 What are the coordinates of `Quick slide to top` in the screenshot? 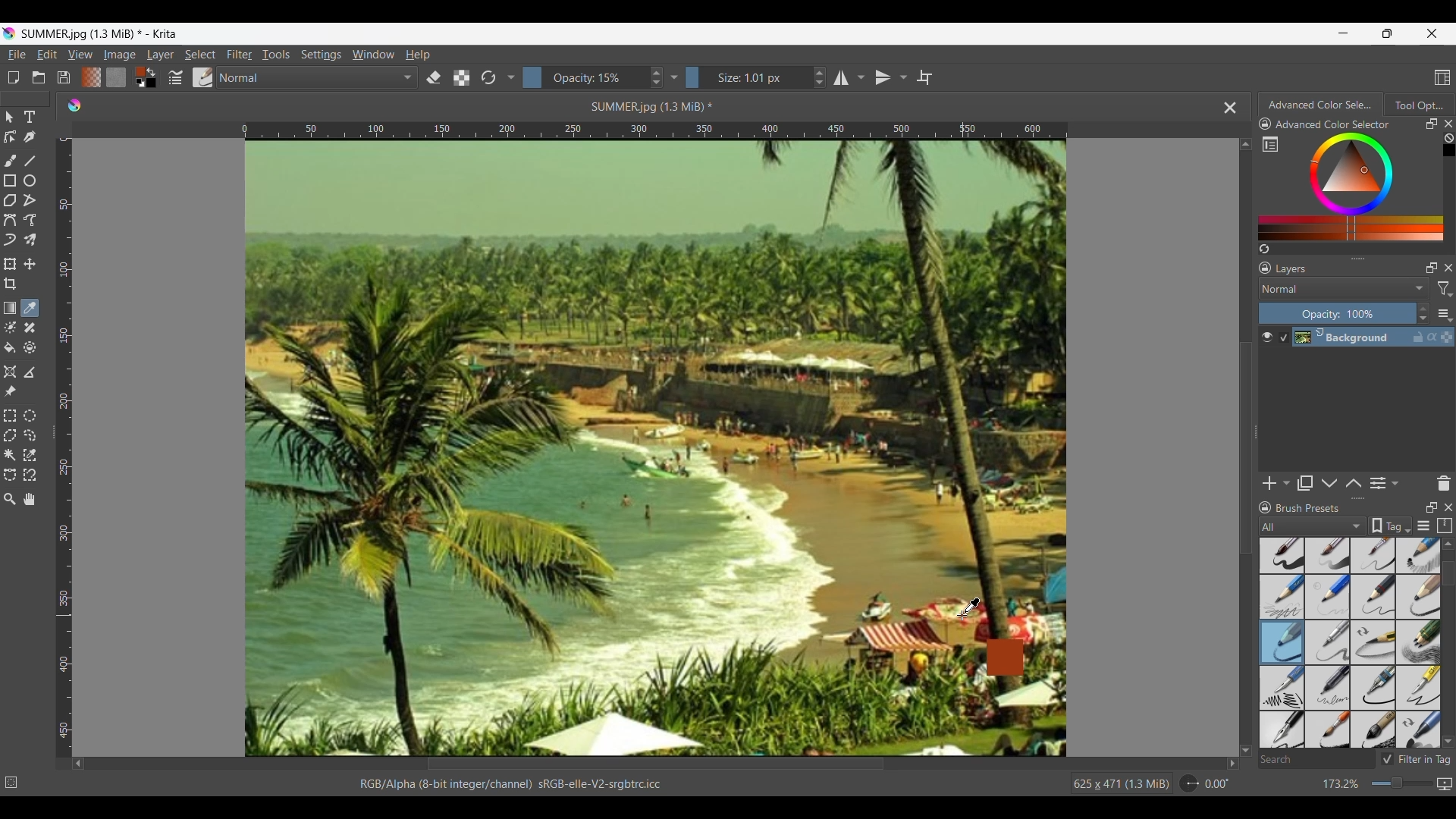 It's located at (1448, 544).